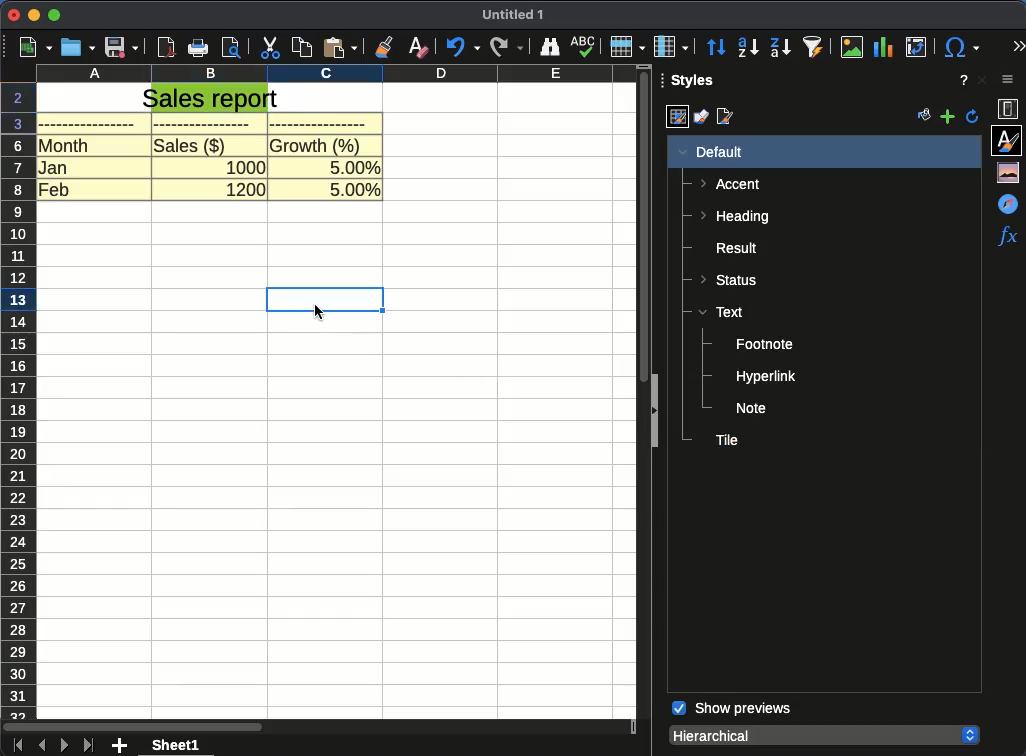 Image resolution: width=1026 pixels, height=756 pixels. Describe the element at coordinates (303, 48) in the screenshot. I see `copy` at that location.